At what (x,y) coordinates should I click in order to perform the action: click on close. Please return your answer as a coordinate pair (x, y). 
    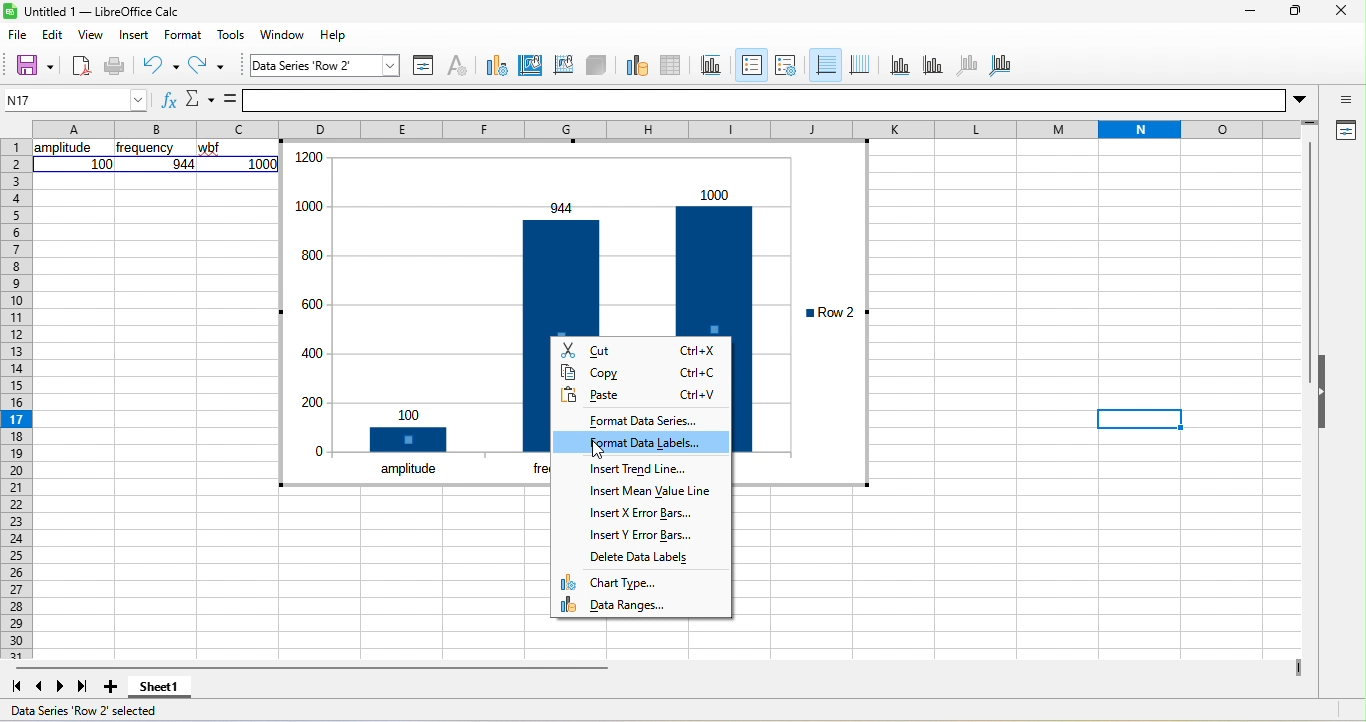
    Looking at the image, I should click on (1337, 13).